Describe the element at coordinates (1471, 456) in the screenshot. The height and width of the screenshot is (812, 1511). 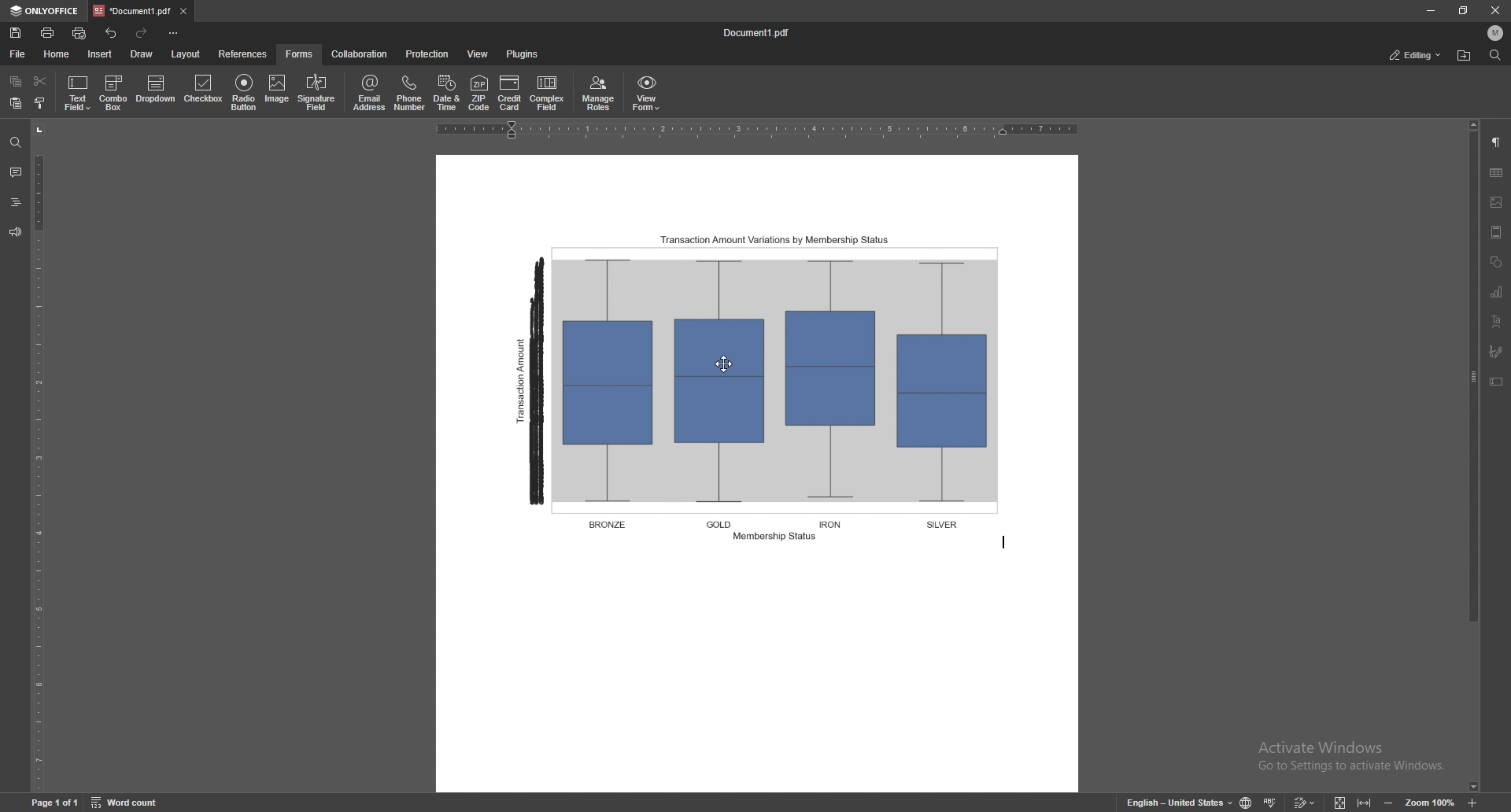
I see `scroll bar` at that location.